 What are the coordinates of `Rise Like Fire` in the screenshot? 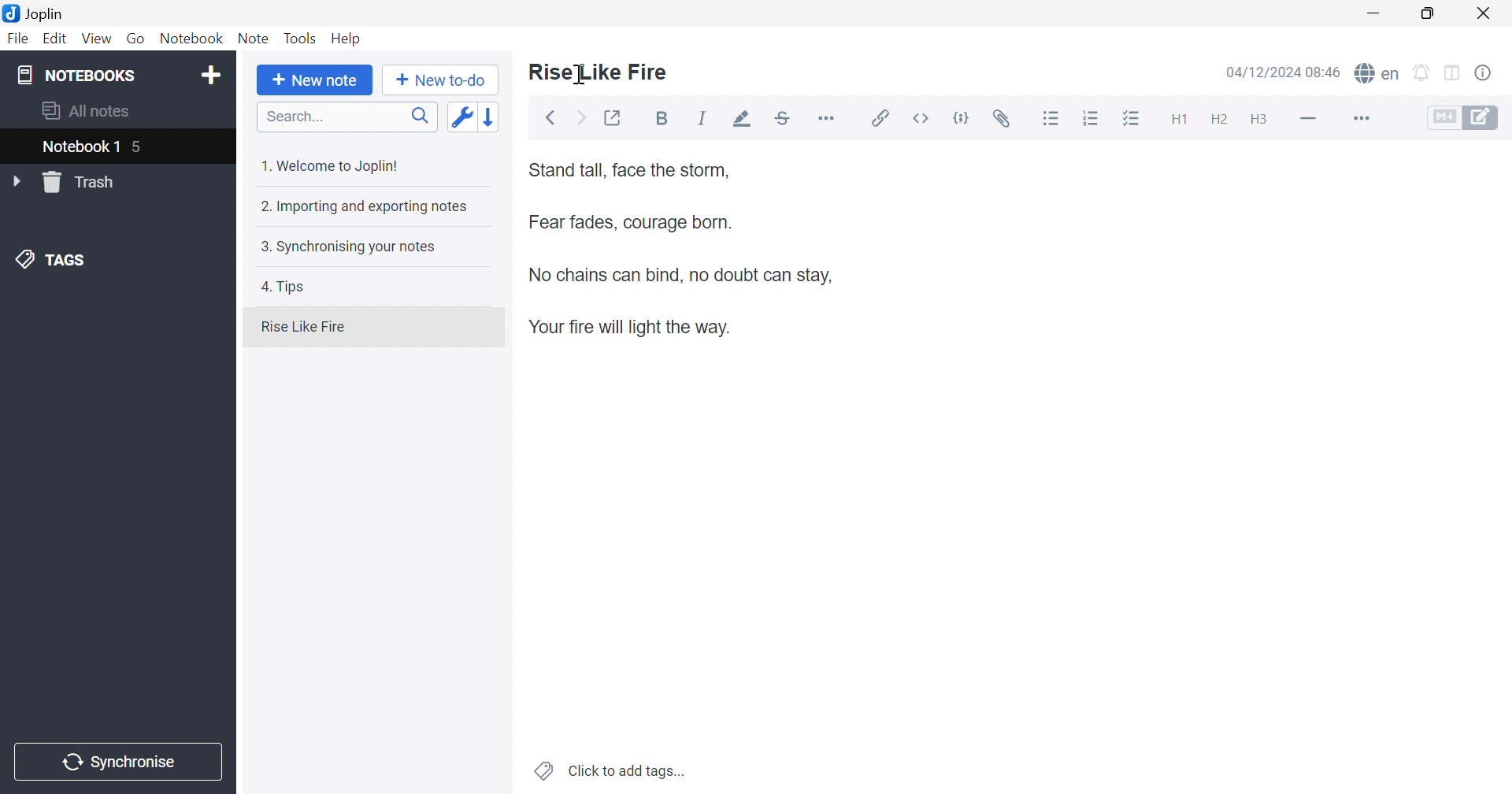 It's located at (597, 72).